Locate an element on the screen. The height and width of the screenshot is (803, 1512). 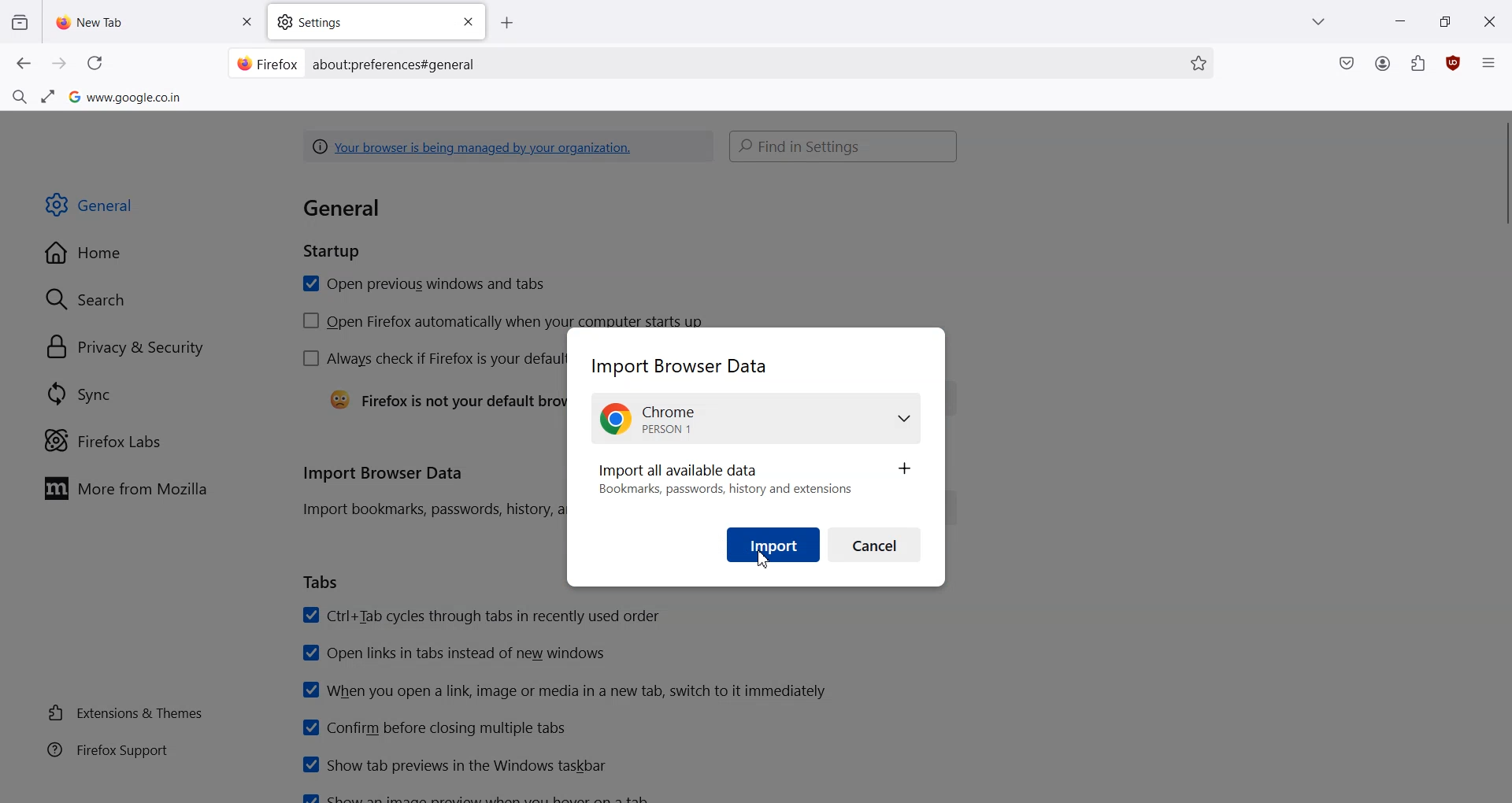
Close is located at coordinates (1491, 20).